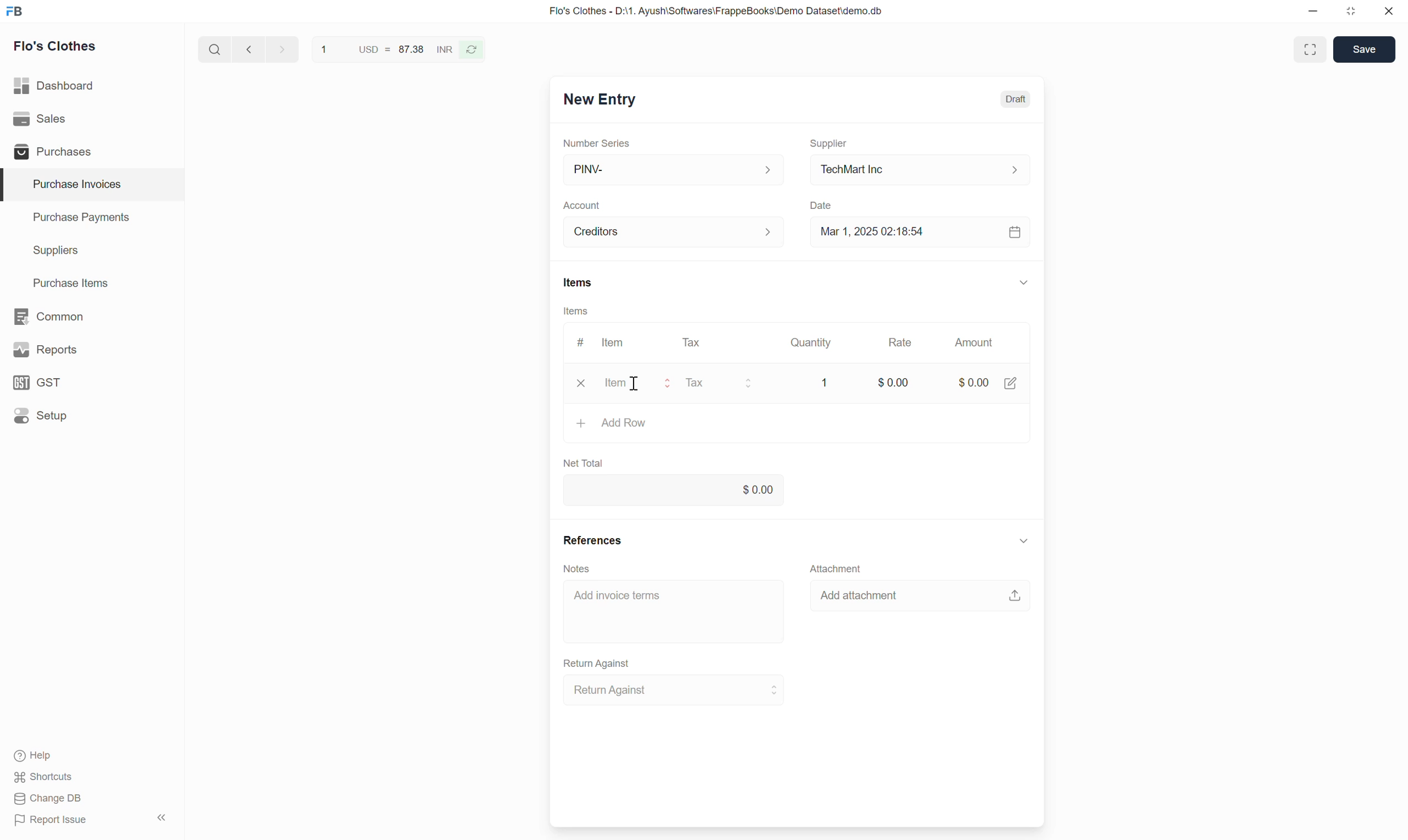 The image size is (1408, 840). What do you see at coordinates (91, 151) in the screenshot?
I see `Purchases` at bounding box center [91, 151].